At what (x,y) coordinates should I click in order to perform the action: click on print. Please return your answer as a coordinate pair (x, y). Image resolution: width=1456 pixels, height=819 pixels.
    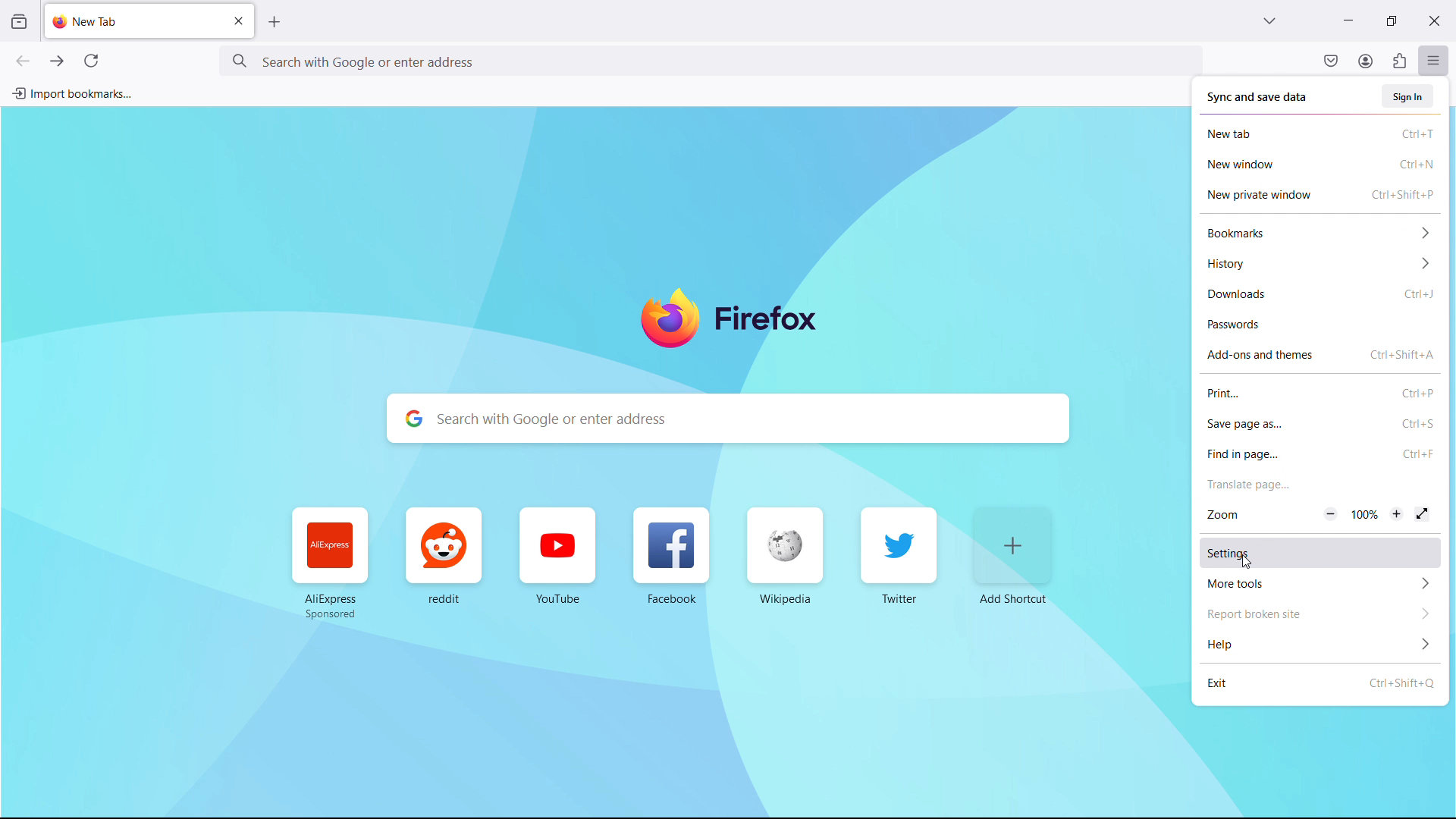
    Looking at the image, I should click on (1319, 392).